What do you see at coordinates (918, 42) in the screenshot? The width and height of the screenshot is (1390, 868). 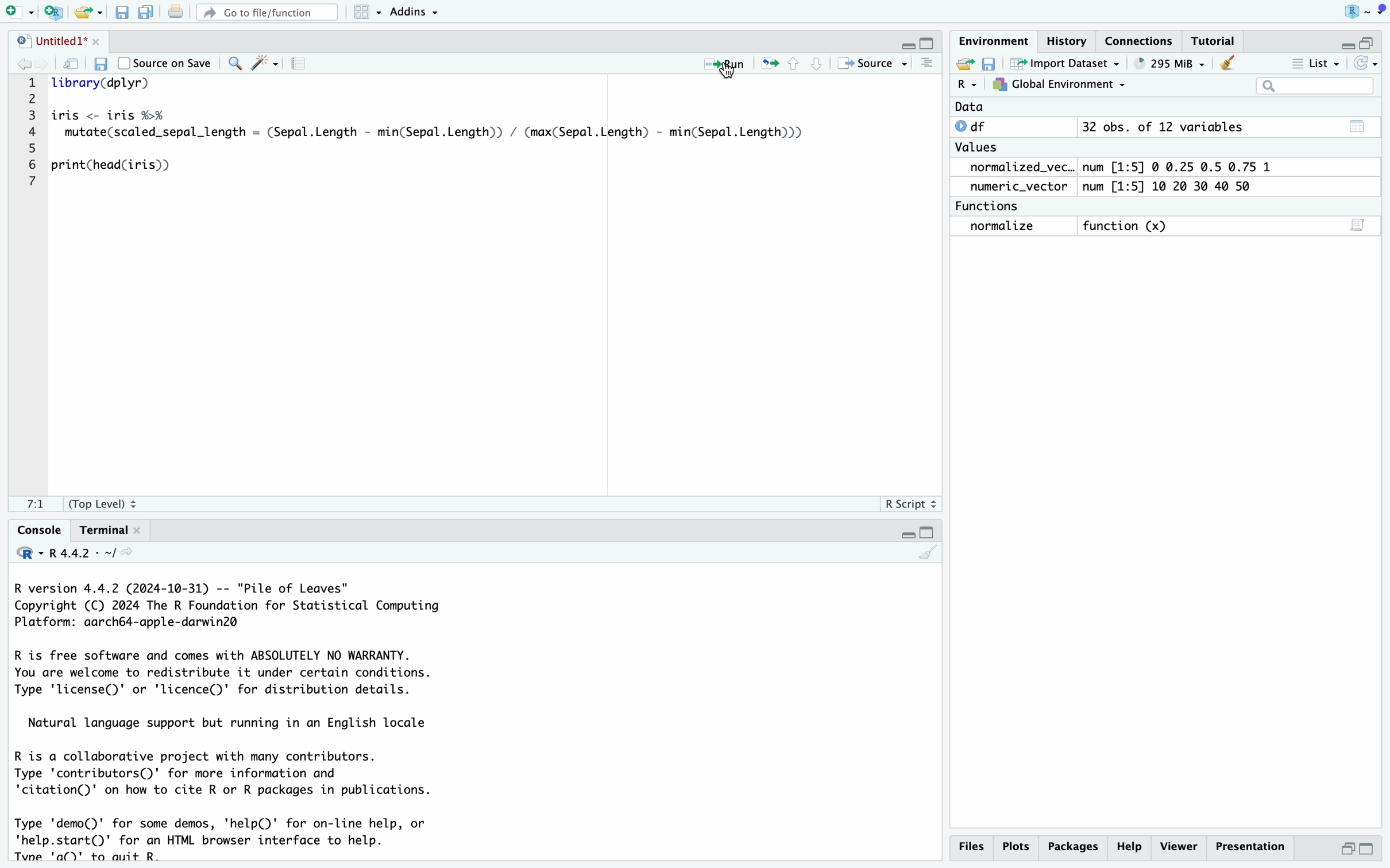 I see `Fullscreen` at bounding box center [918, 42].